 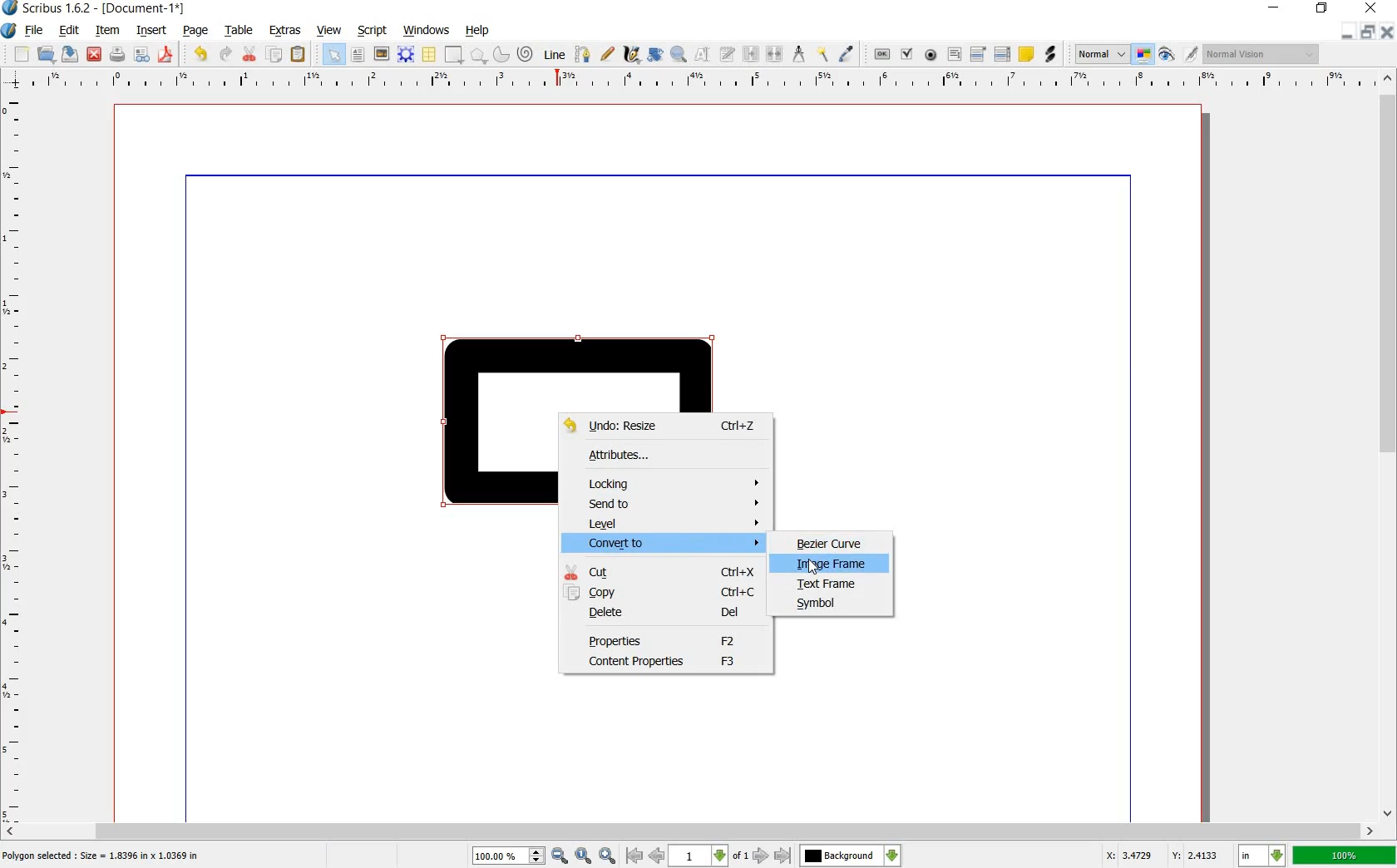 What do you see at coordinates (578, 366) in the screenshot?
I see `shape` at bounding box center [578, 366].